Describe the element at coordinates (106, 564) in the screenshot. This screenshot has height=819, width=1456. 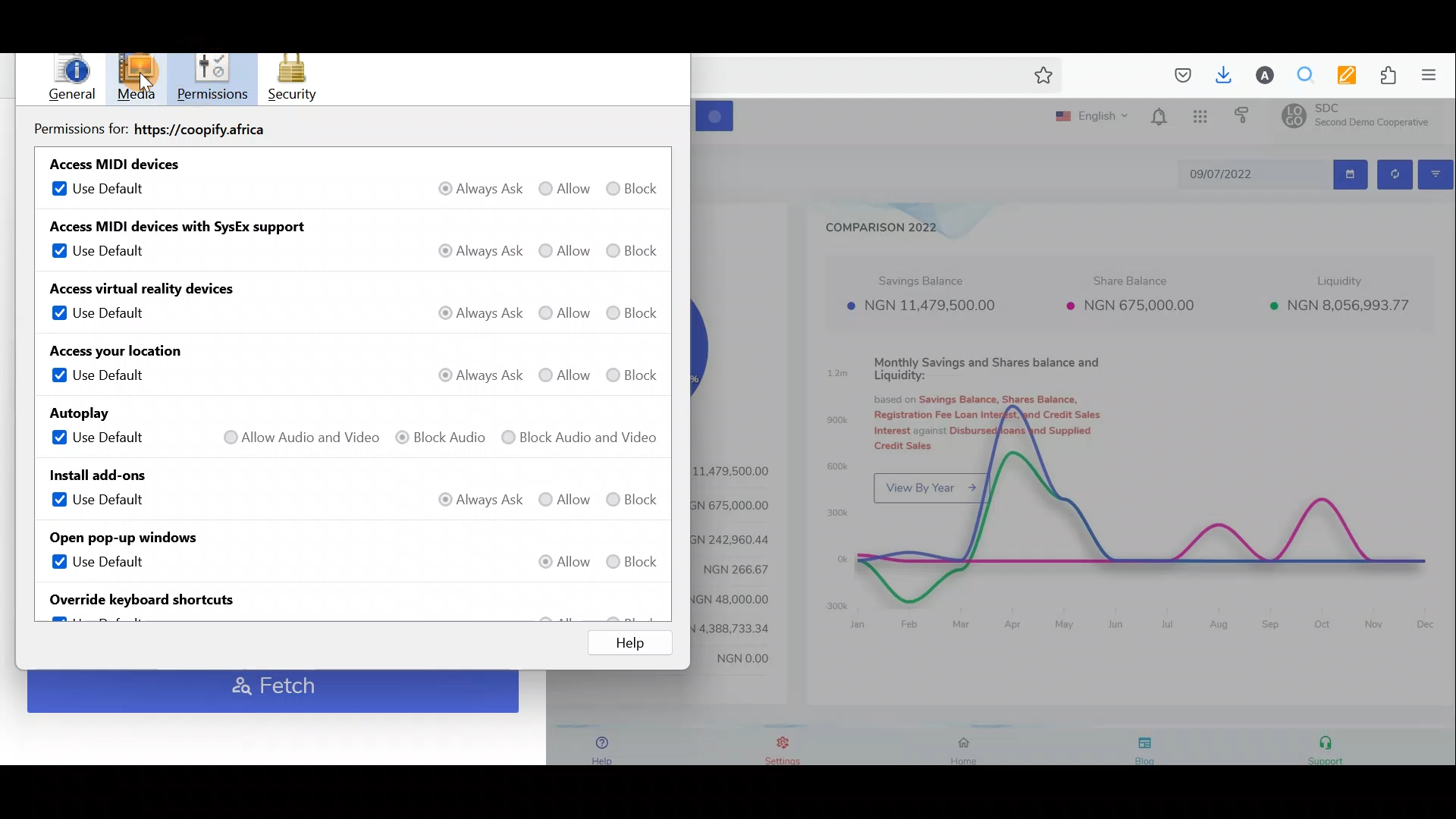
I see `Use default` at that location.